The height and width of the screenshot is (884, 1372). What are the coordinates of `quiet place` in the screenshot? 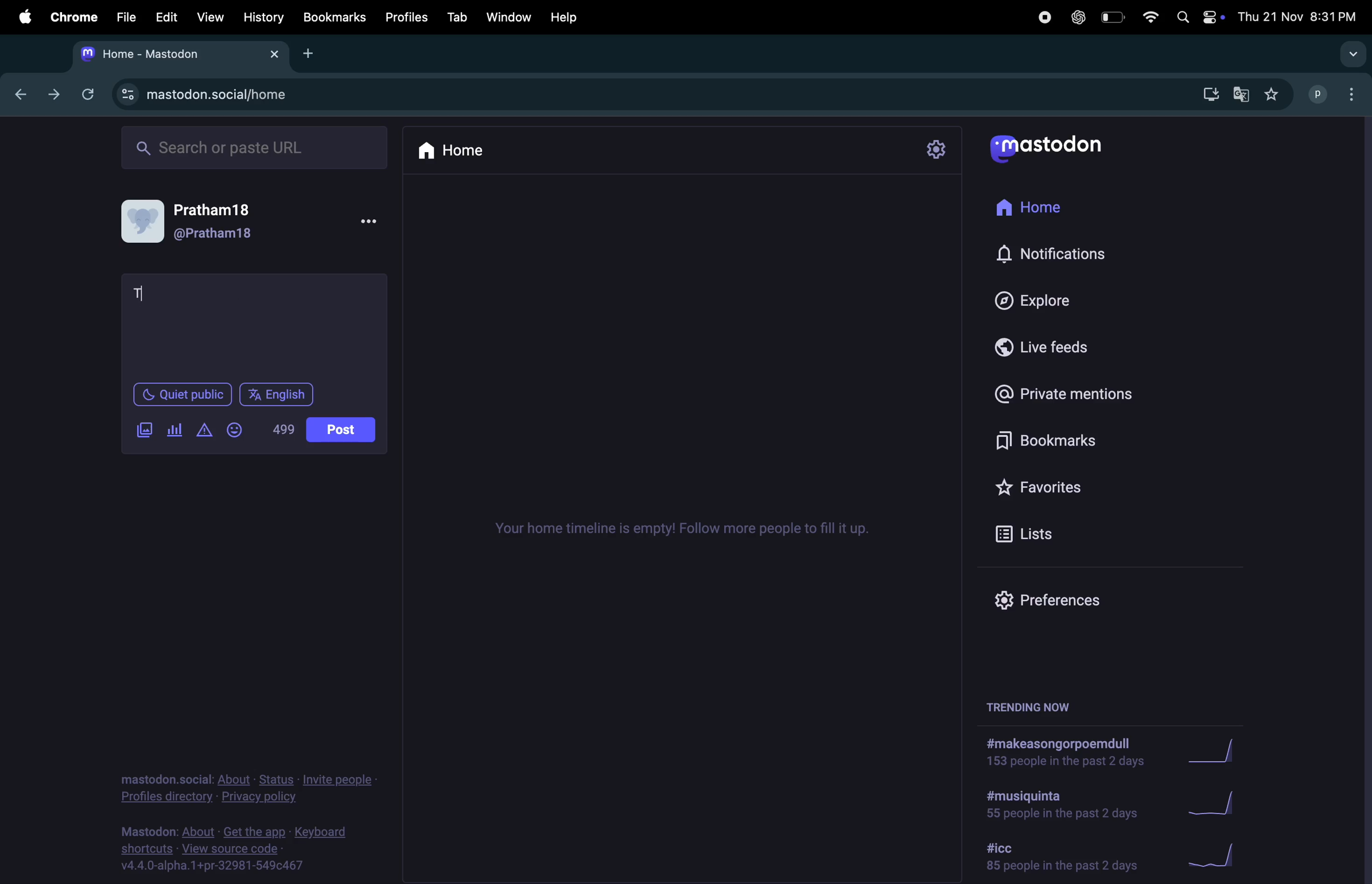 It's located at (187, 393).